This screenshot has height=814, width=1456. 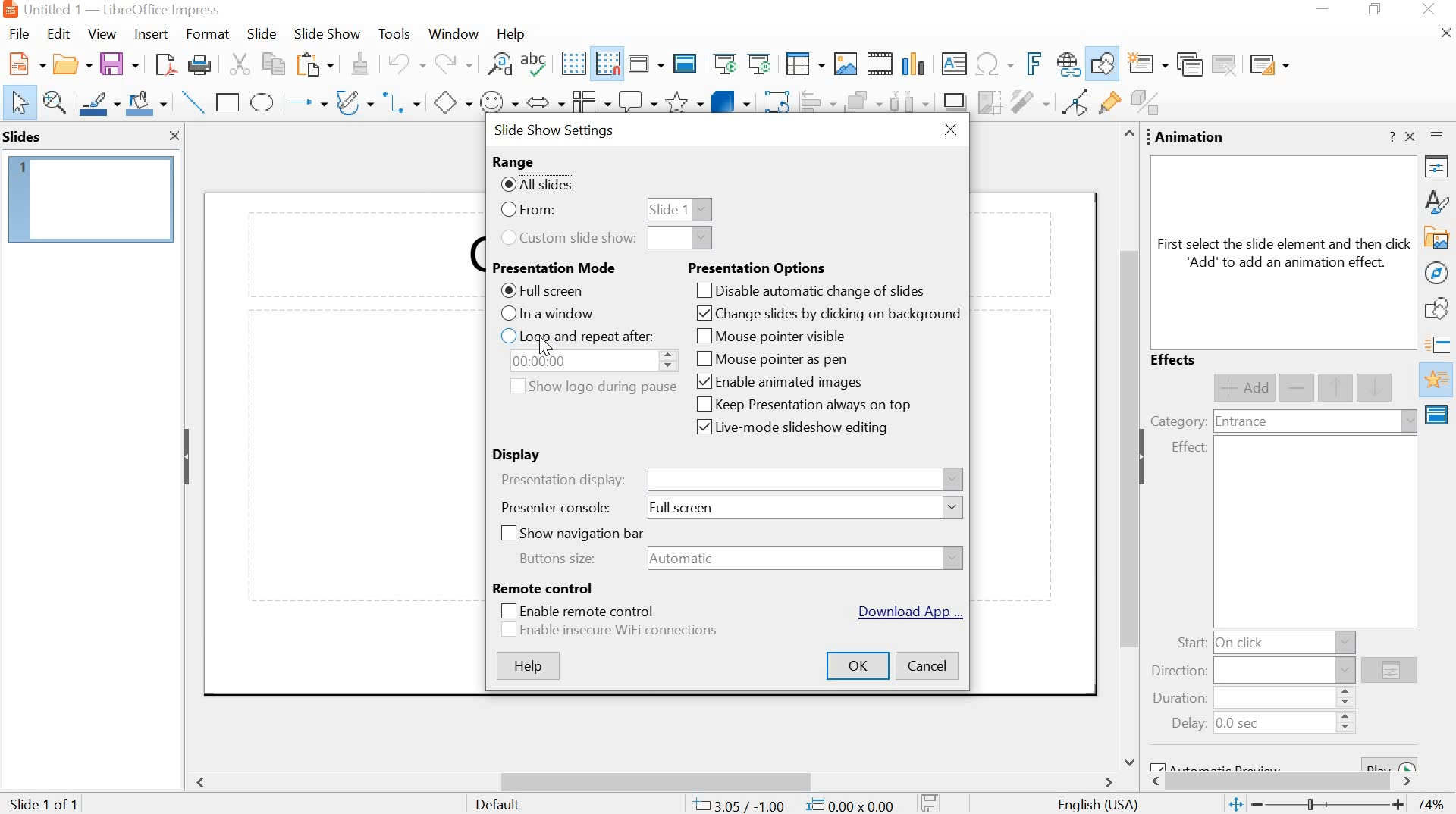 I want to click on mouse pointer visible, so click(x=767, y=336).